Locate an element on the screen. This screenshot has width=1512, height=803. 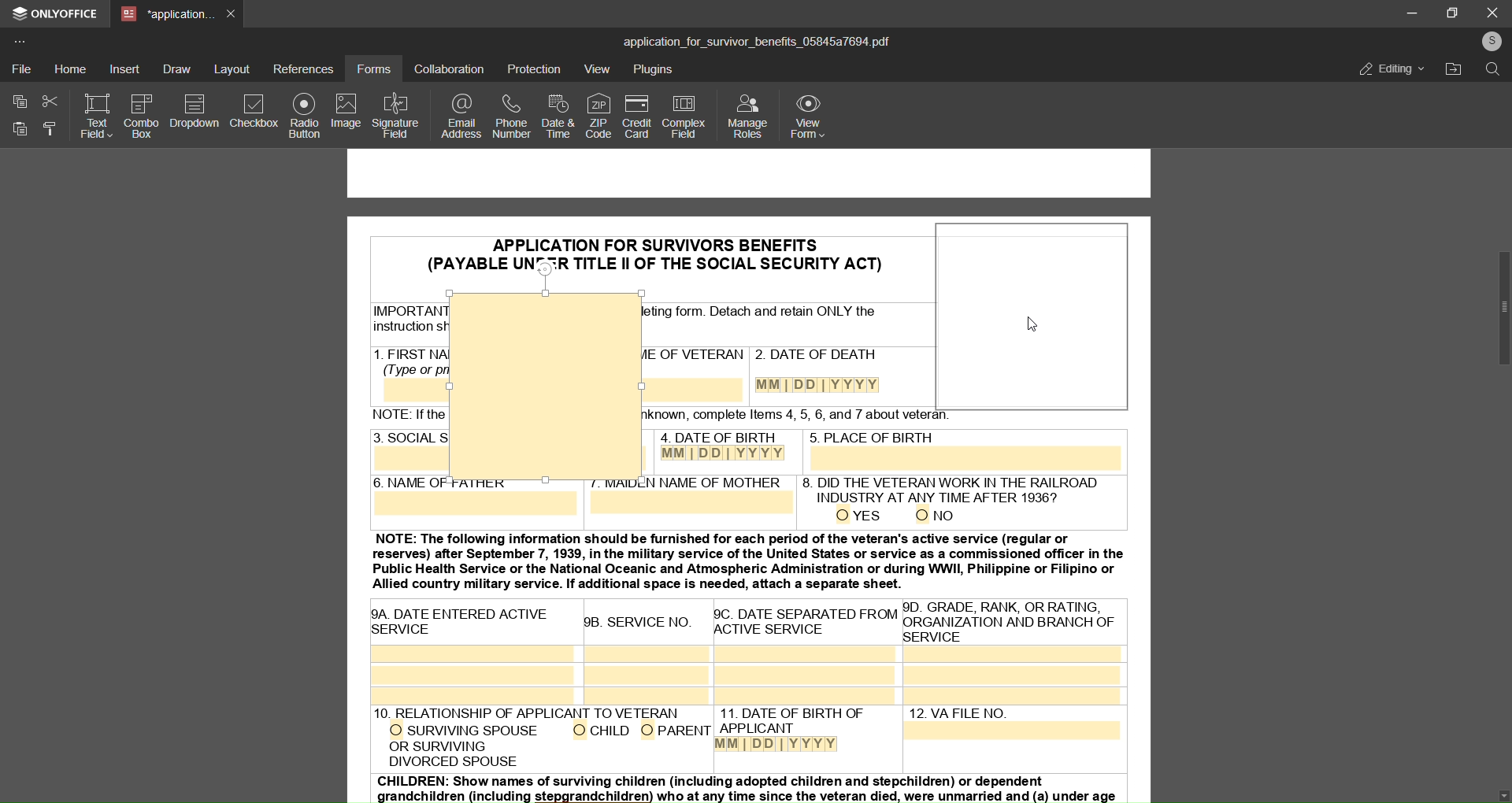
copy is located at coordinates (17, 101).